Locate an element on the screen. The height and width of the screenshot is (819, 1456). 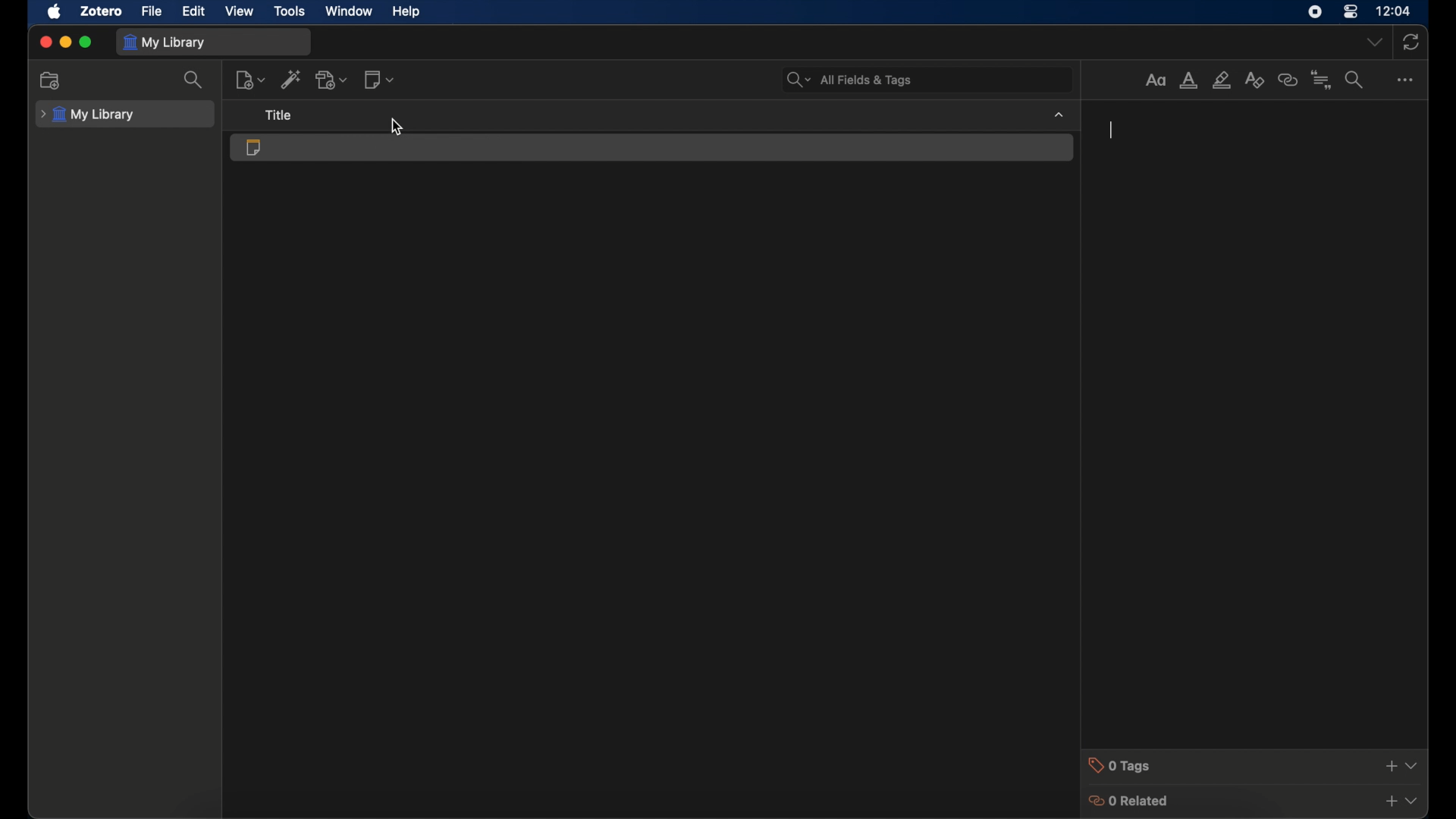
screen recorder icon is located at coordinates (1314, 11).